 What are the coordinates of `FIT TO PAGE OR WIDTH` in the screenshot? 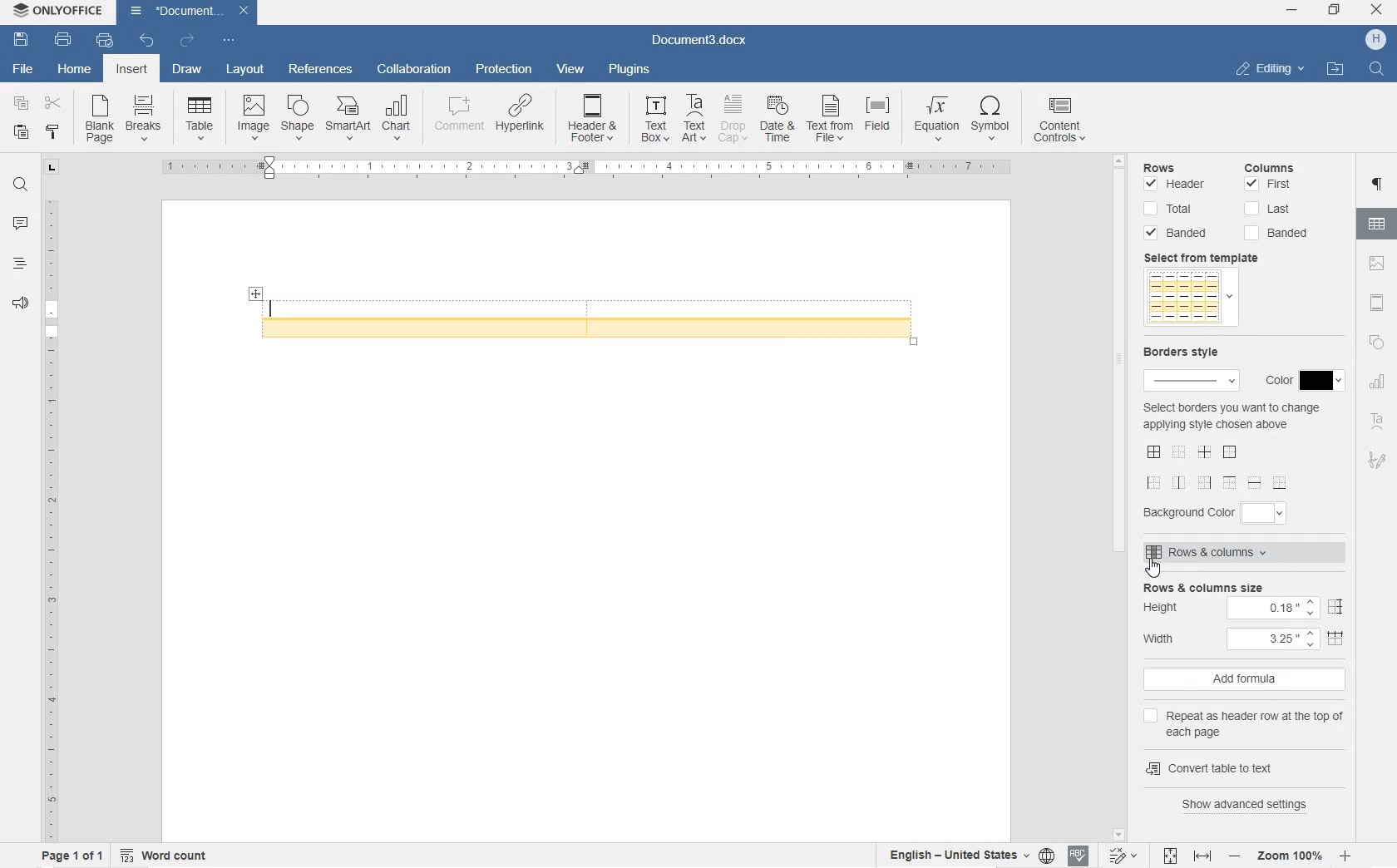 It's located at (1187, 857).